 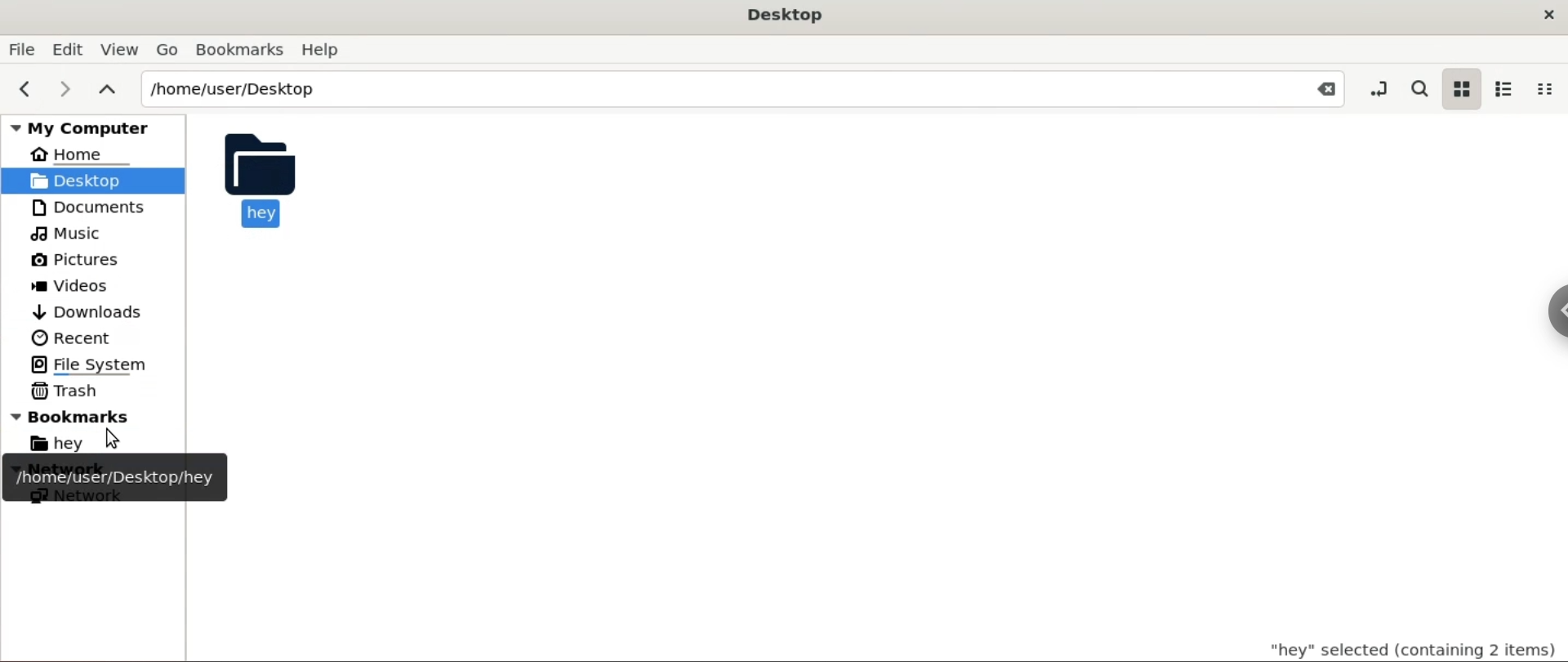 I want to click on close, so click(x=1542, y=16).